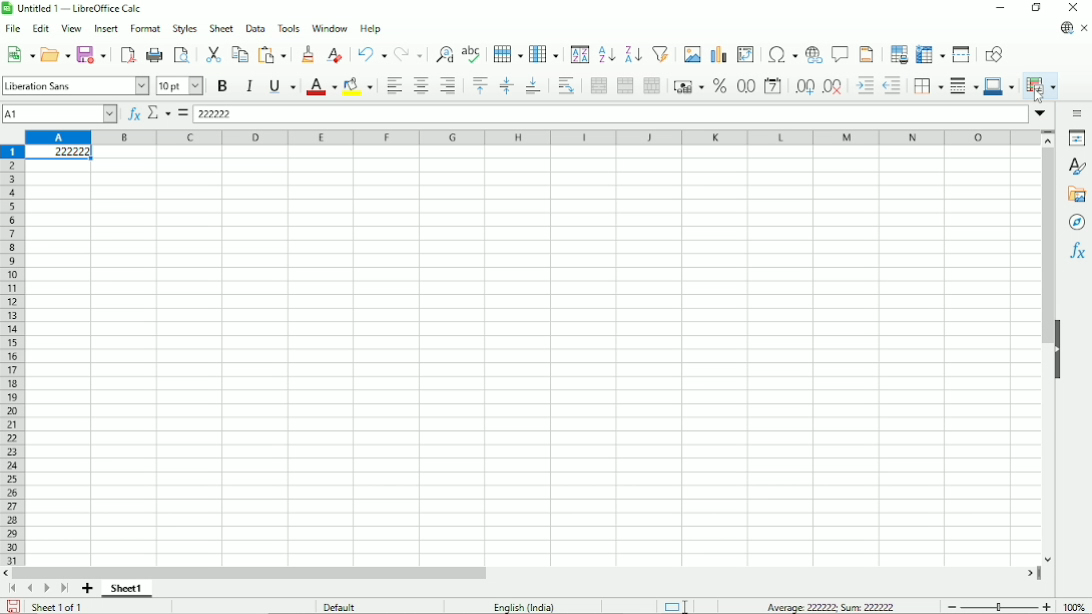 This screenshot has width=1092, height=614. Describe the element at coordinates (928, 85) in the screenshot. I see `Borders` at that location.